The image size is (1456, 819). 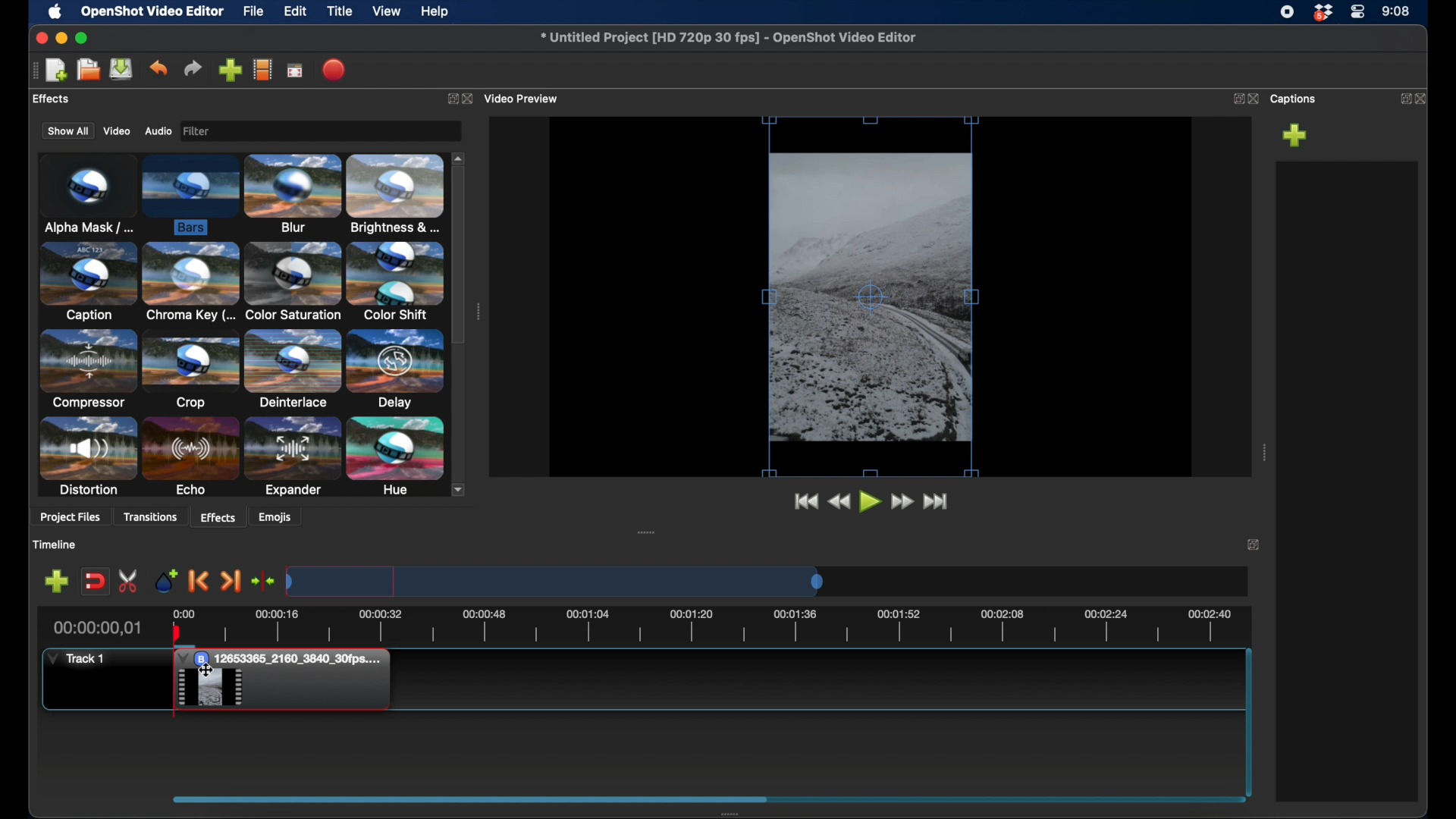 What do you see at coordinates (190, 284) in the screenshot?
I see `chroma key` at bounding box center [190, 284].